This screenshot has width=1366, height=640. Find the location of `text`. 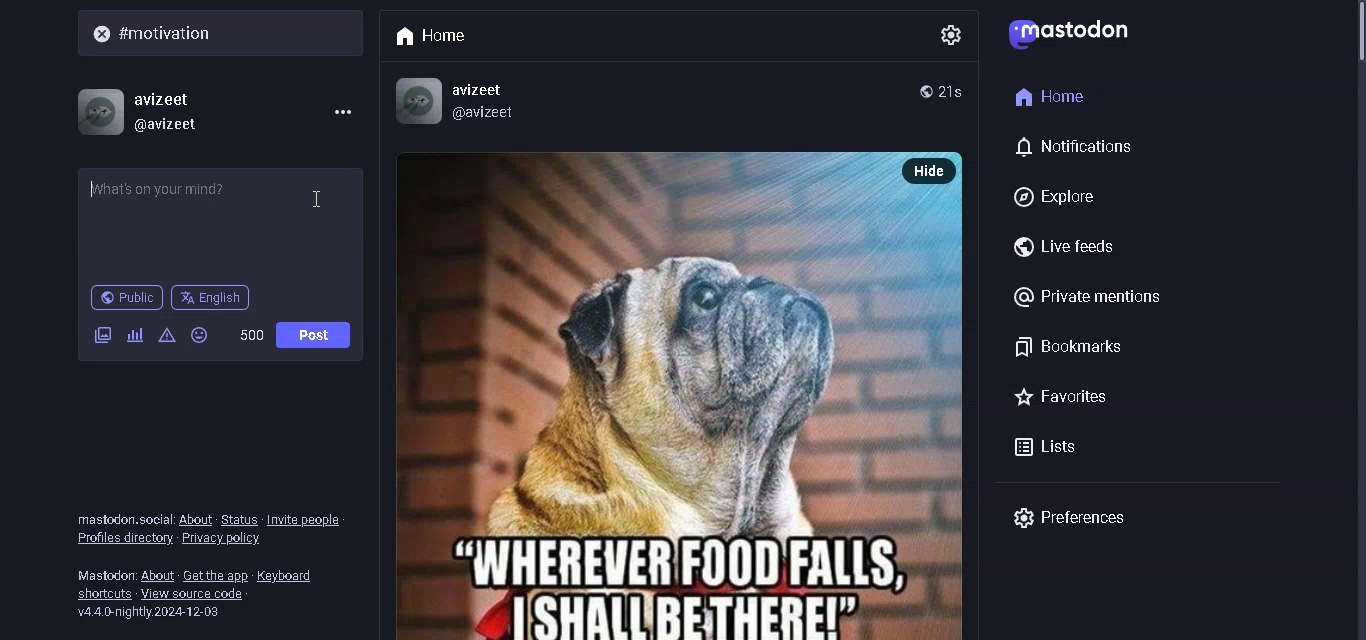

text is located at coordinates (119, 519).